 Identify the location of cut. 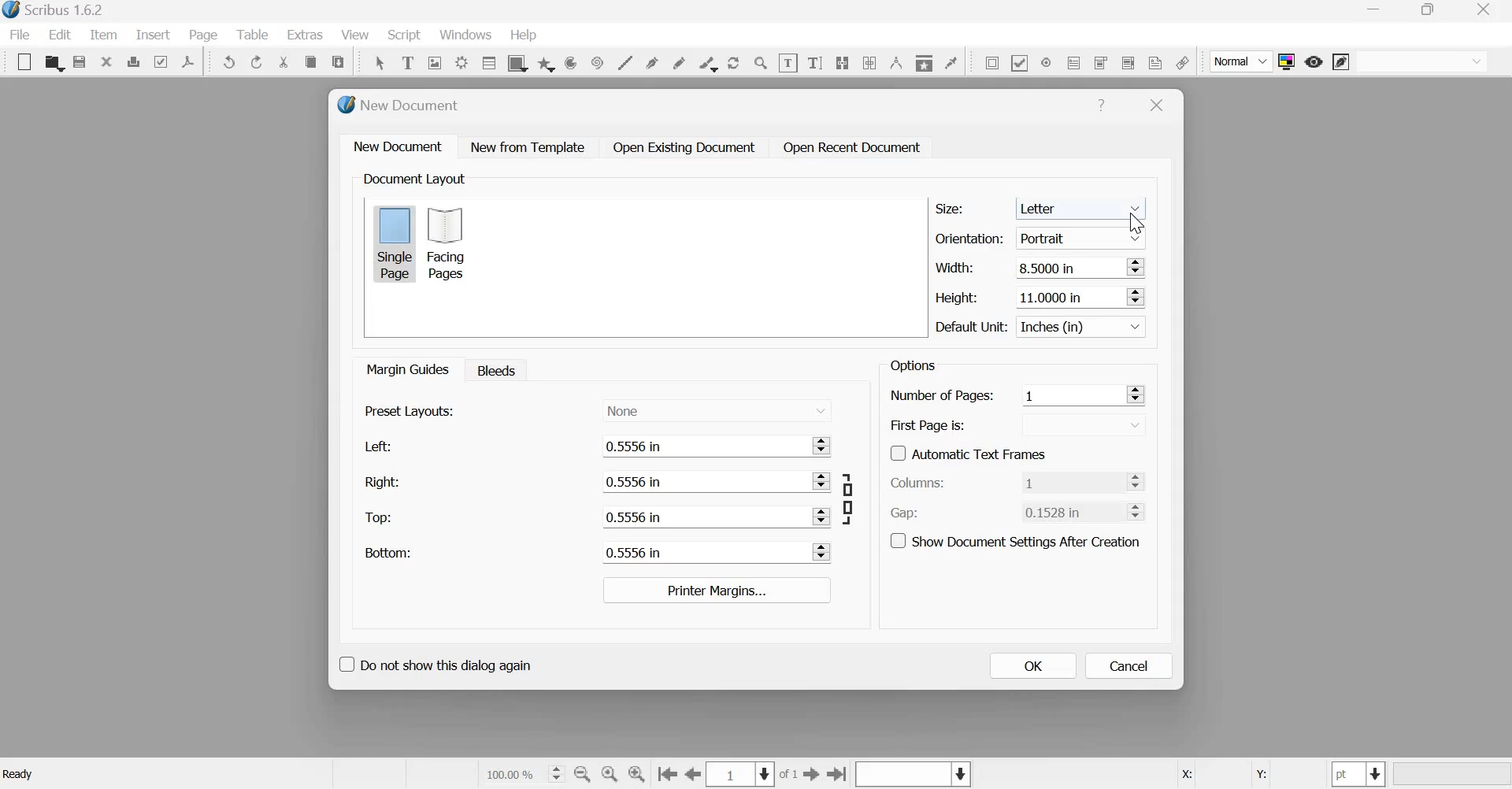
(284, 62).